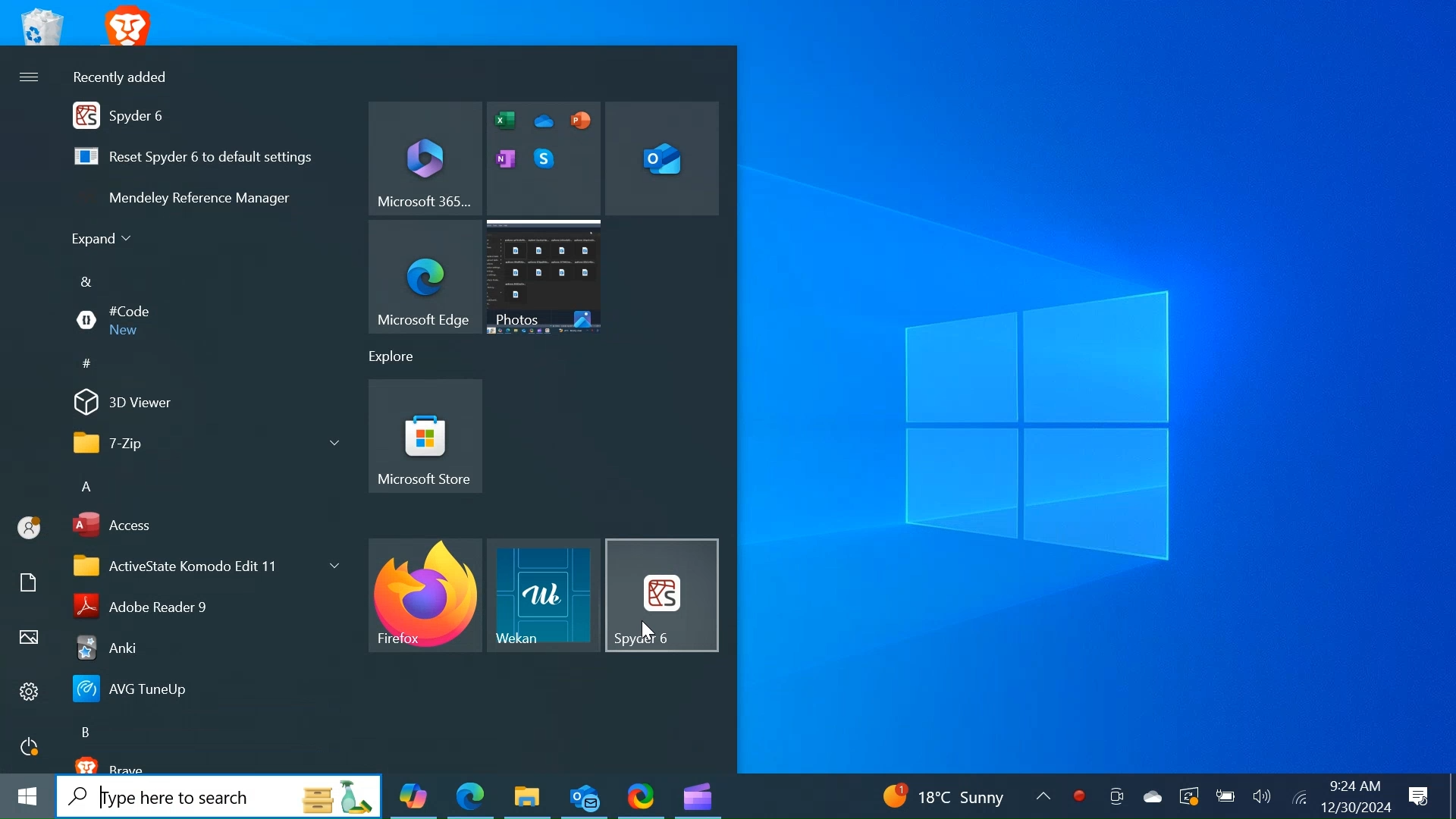 Image resolution: width=1456 pixels, height=819 pixels. I want to click on Spyder Desktop Icon, so click(663, 596).